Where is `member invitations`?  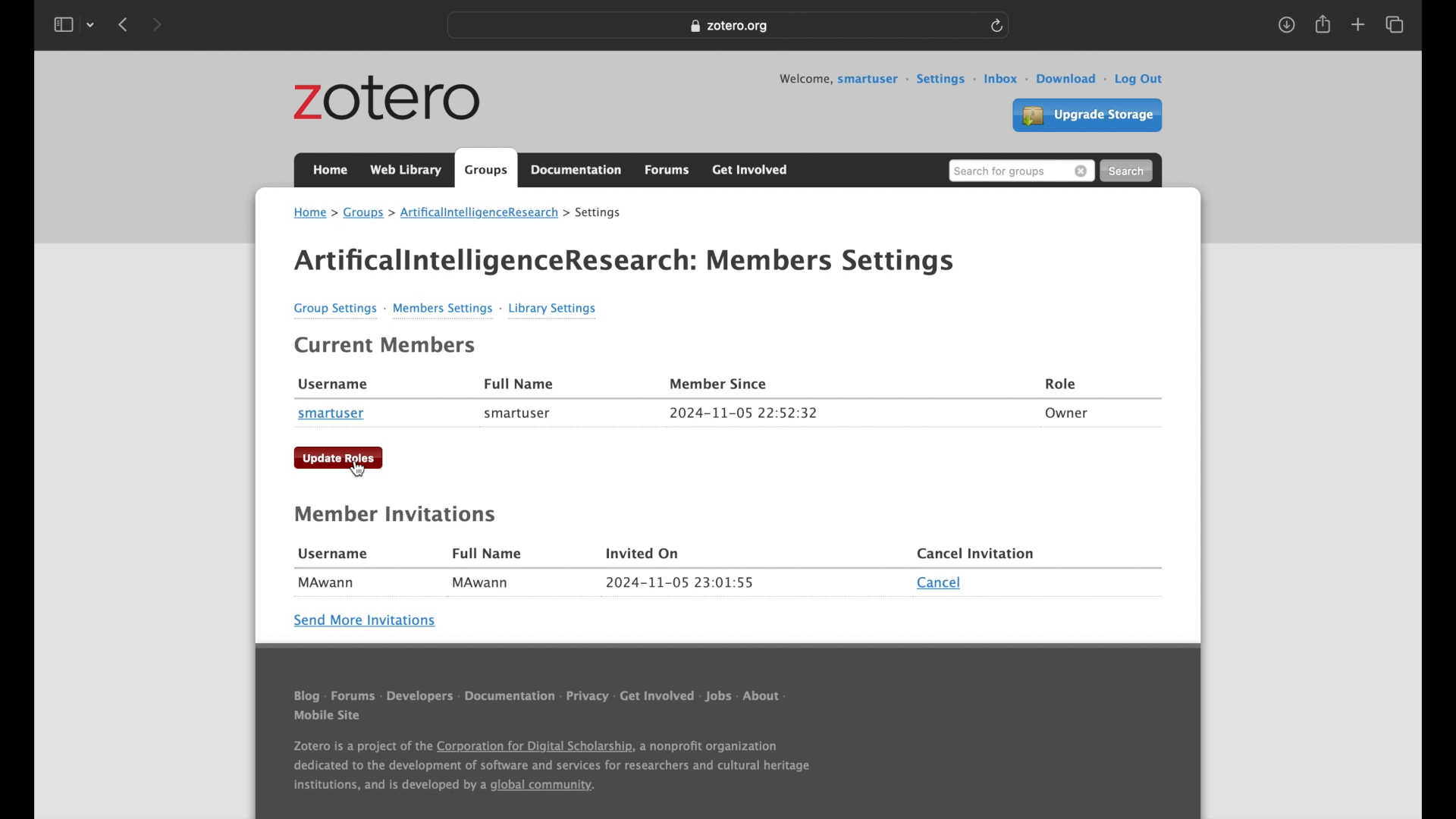
member invitations is located at coordinates (395, 513).